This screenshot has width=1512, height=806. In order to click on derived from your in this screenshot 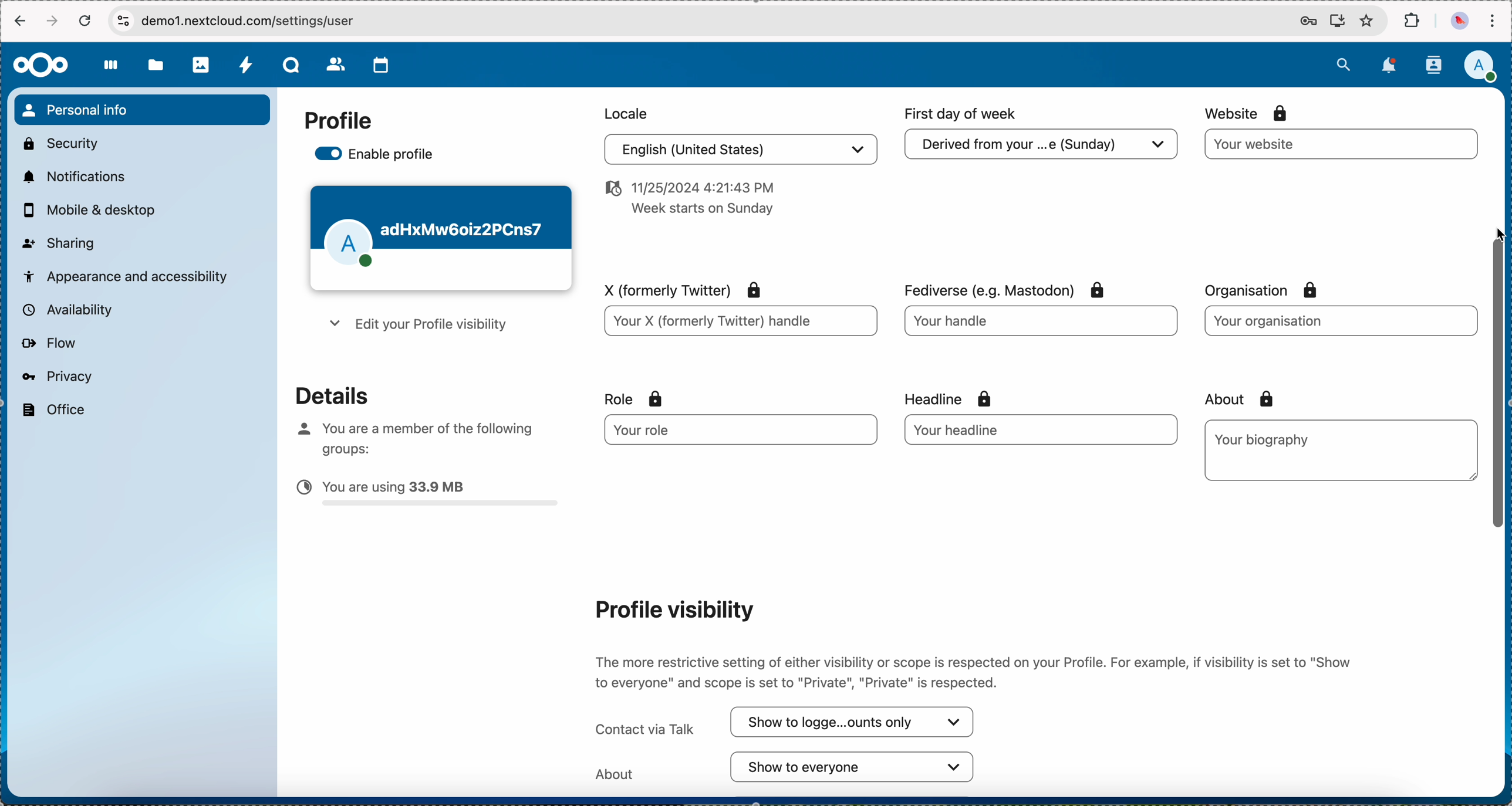, I will do `click(1038, 148)`.